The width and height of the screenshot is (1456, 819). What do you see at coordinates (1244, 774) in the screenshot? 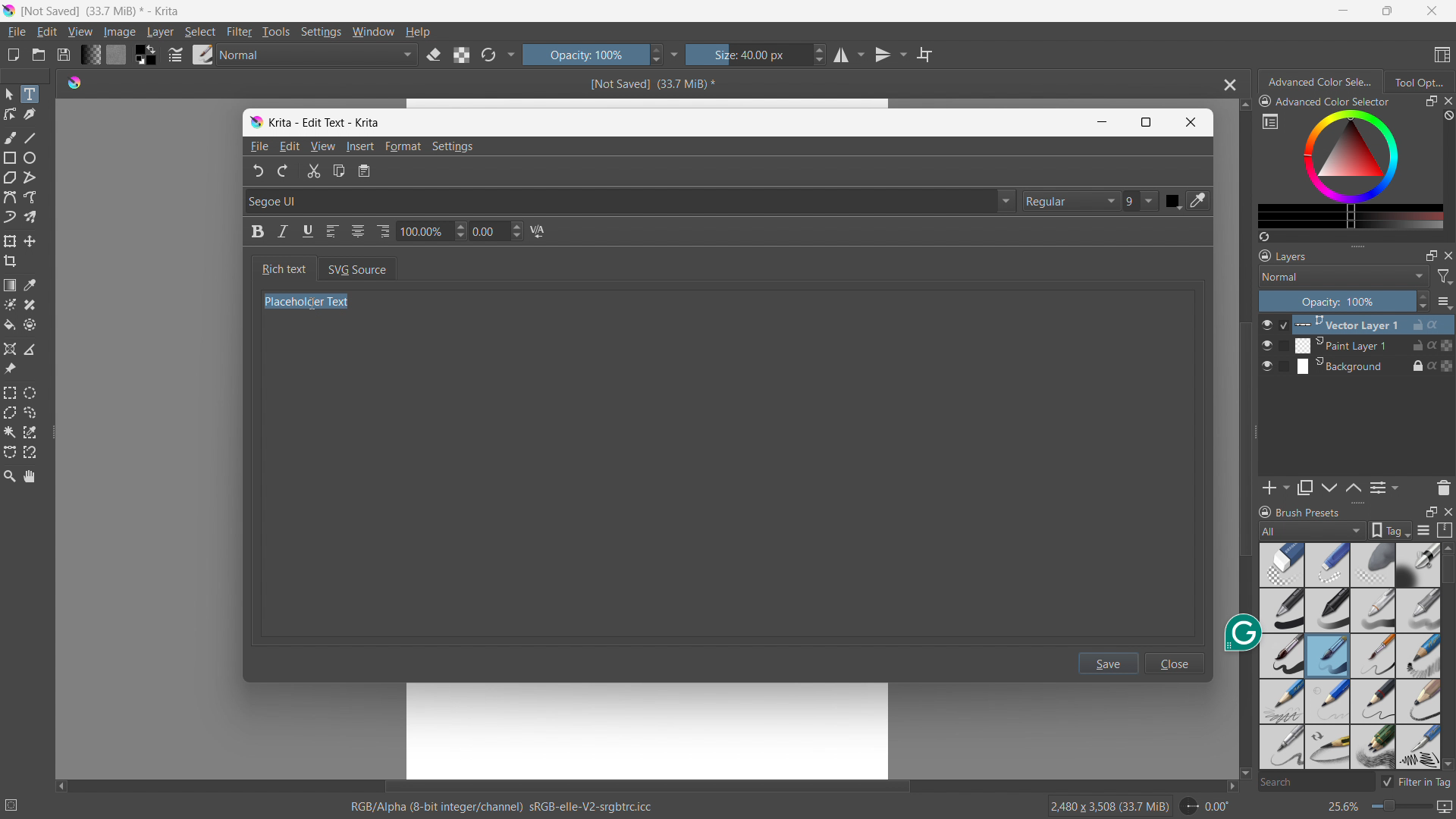
I see `scroll down` at bounding box center [1244, 774].